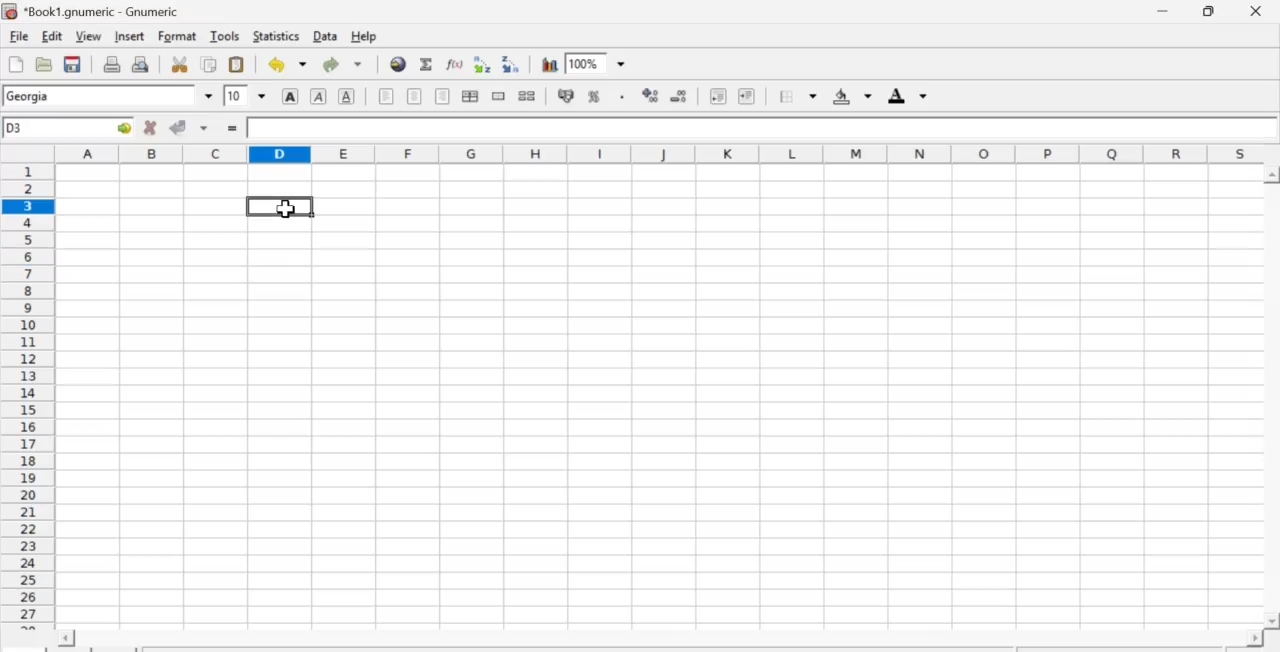 This screenshot has width=1280, height=652. I want to click on Open a file, so click(42, 65).